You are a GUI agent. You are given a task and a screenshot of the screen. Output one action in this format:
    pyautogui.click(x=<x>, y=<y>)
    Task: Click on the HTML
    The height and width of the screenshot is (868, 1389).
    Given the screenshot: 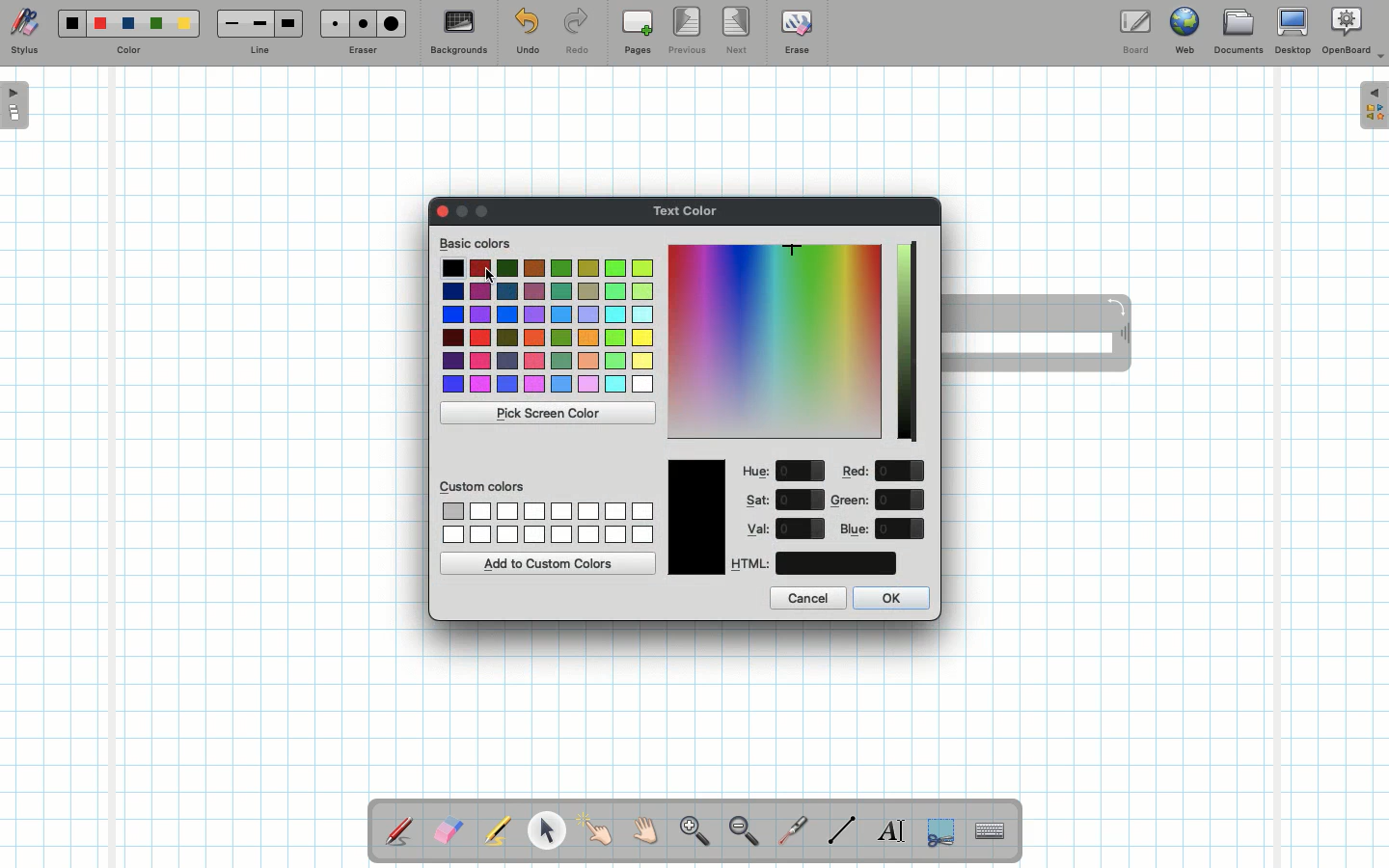 What is the action you would take?
    pyautogui.click(x=751, y=563)
    